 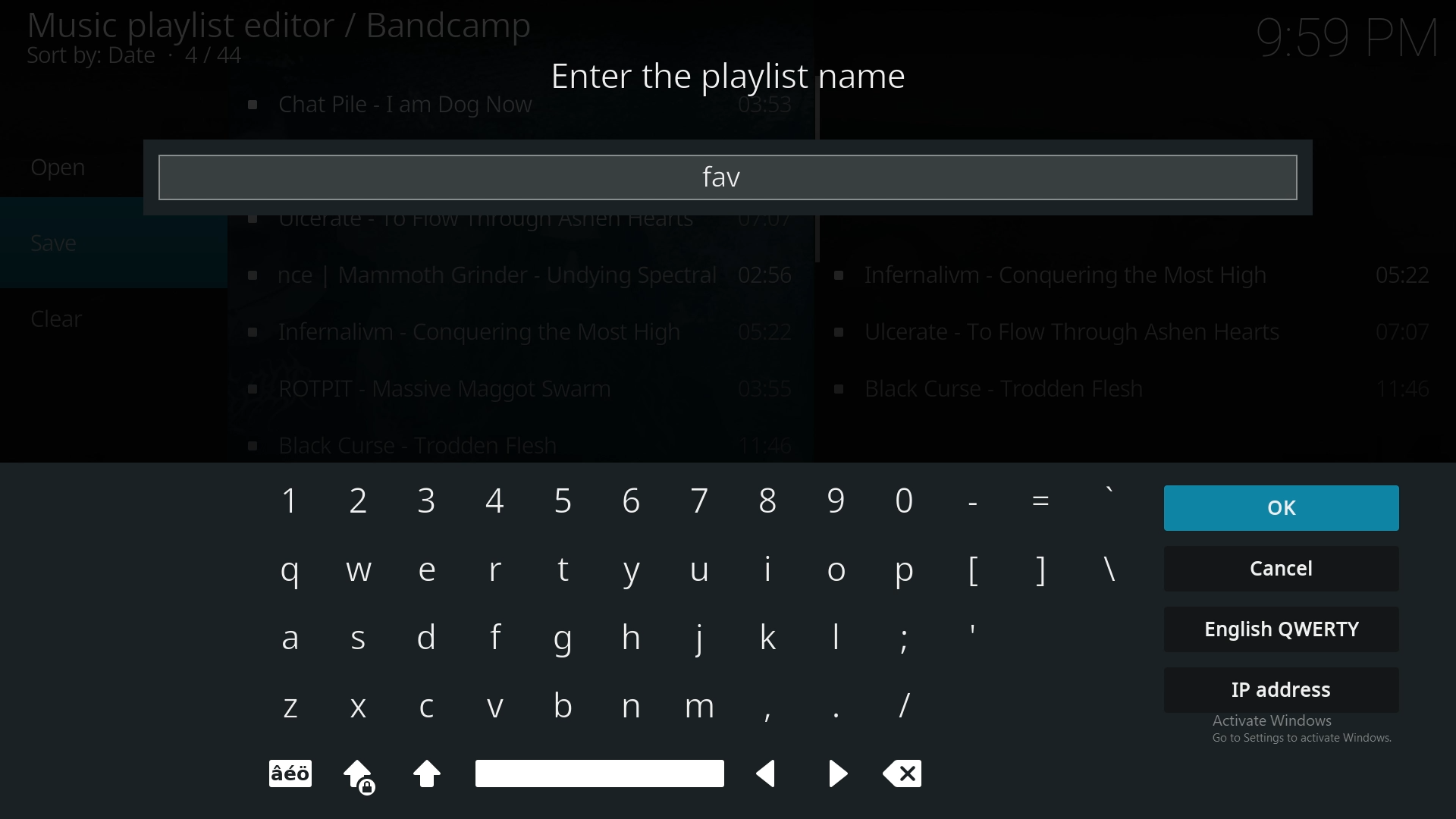 What do you see at coordinates (557, 705) in the screenshot?
I see `keyboard input` at bounding box center [557, 705].